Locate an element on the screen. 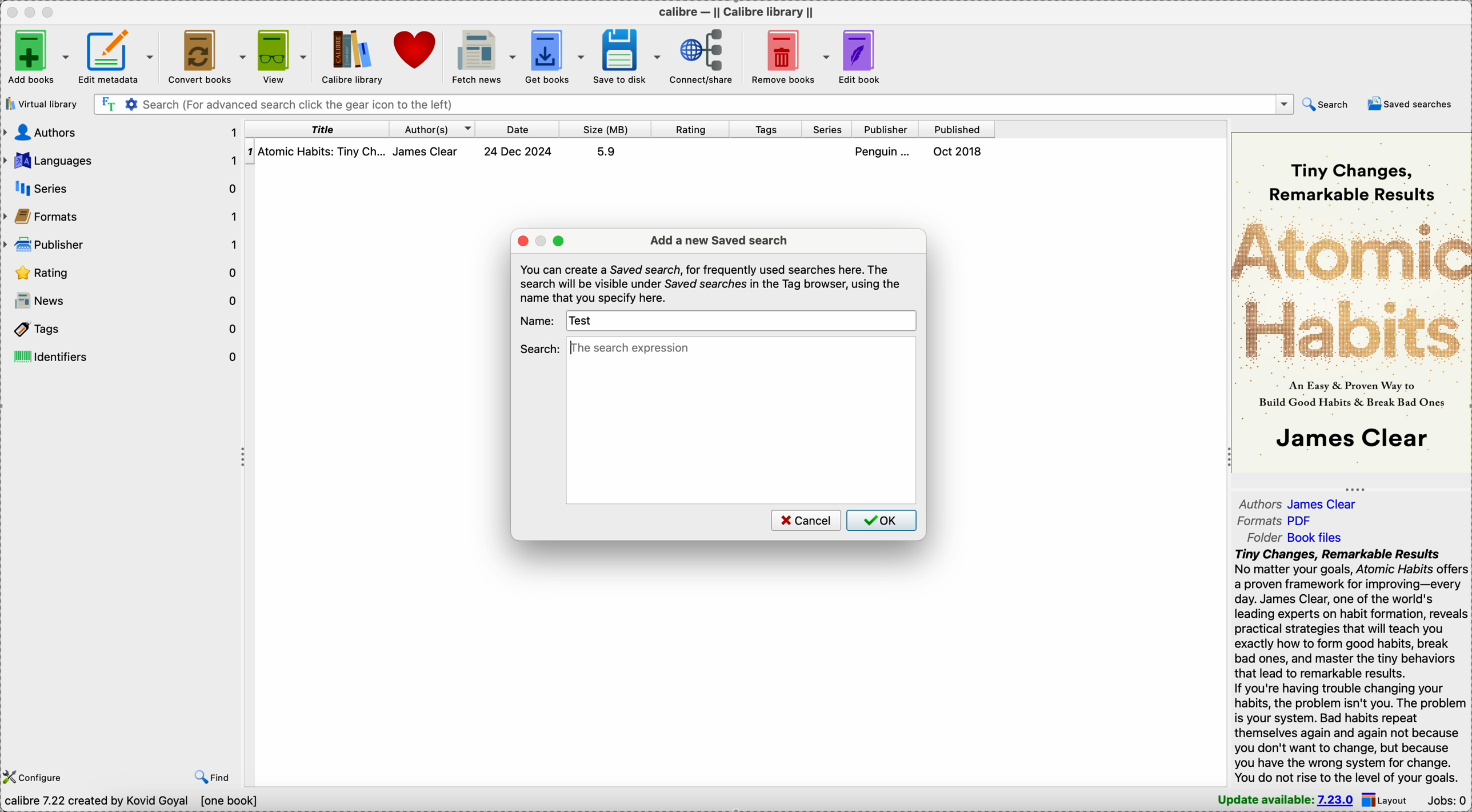 The height and width of the screenshot is (812, 1472). update available: 7.23.0 is located at coordinates (1281, 799).